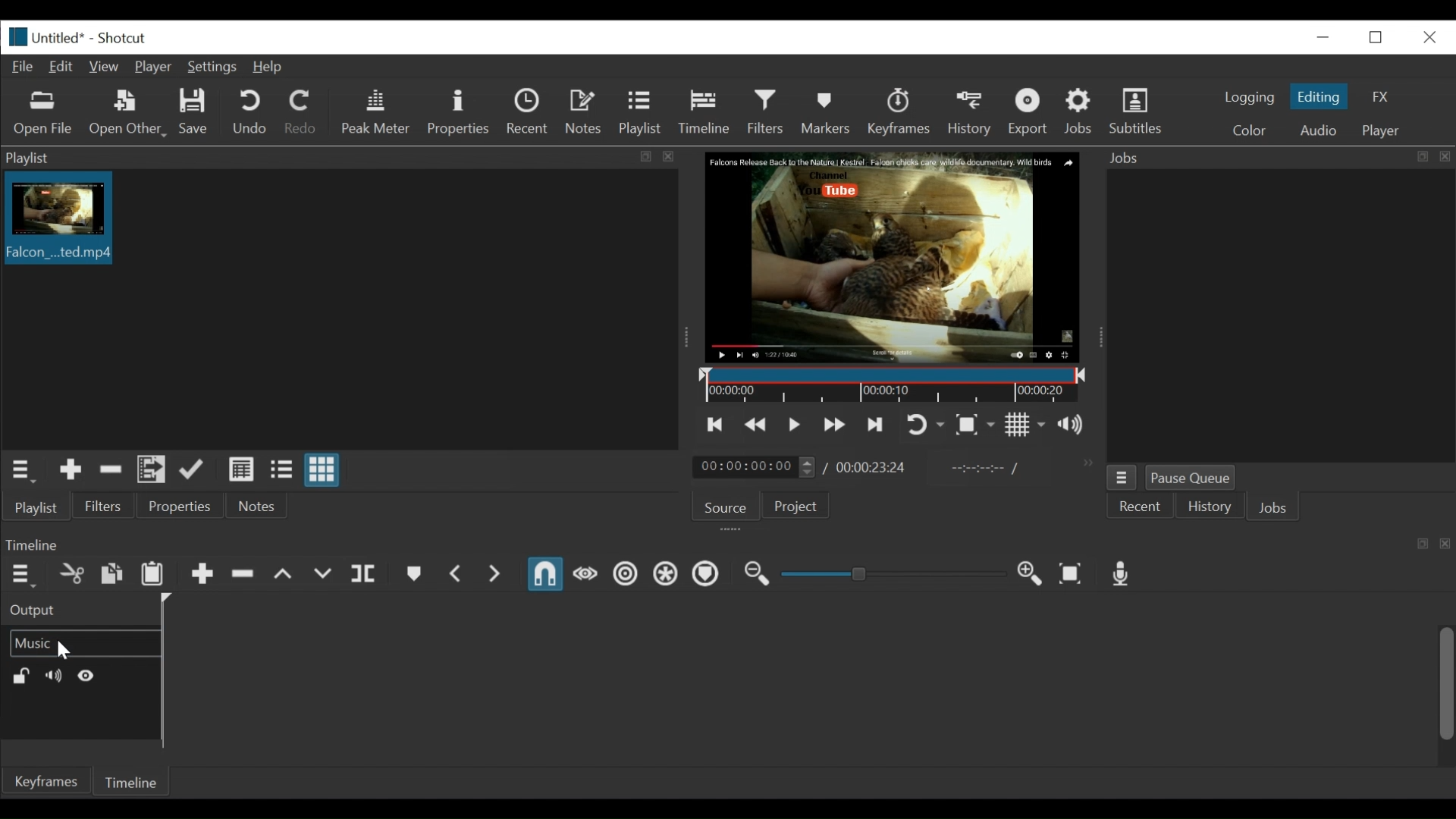  What do you see at coordinates (1138, 111) in the screenshot?
I see `Subtitles` at bounding box center [1138, 111].